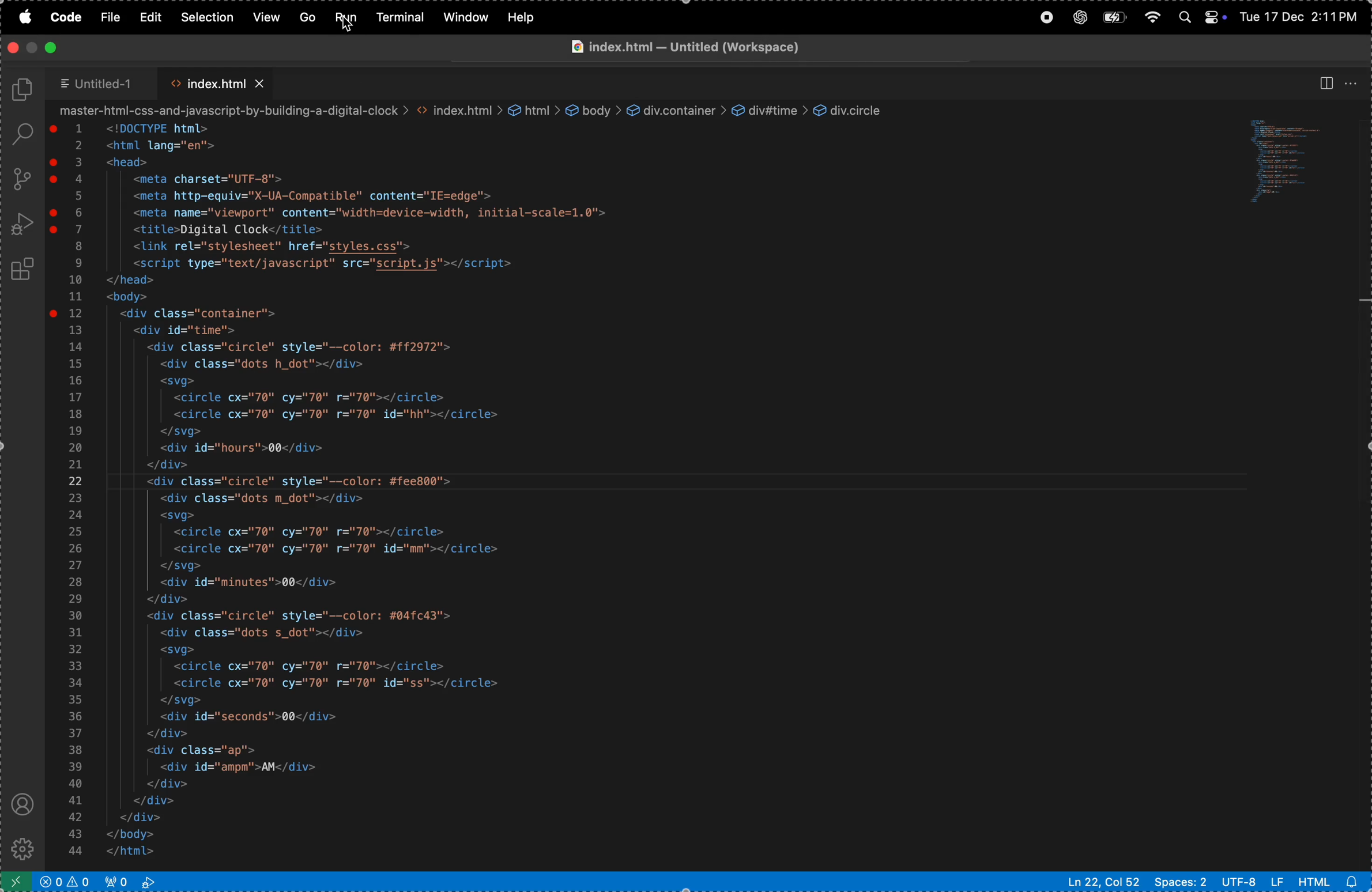  I want to click on window, so click(466, 17).